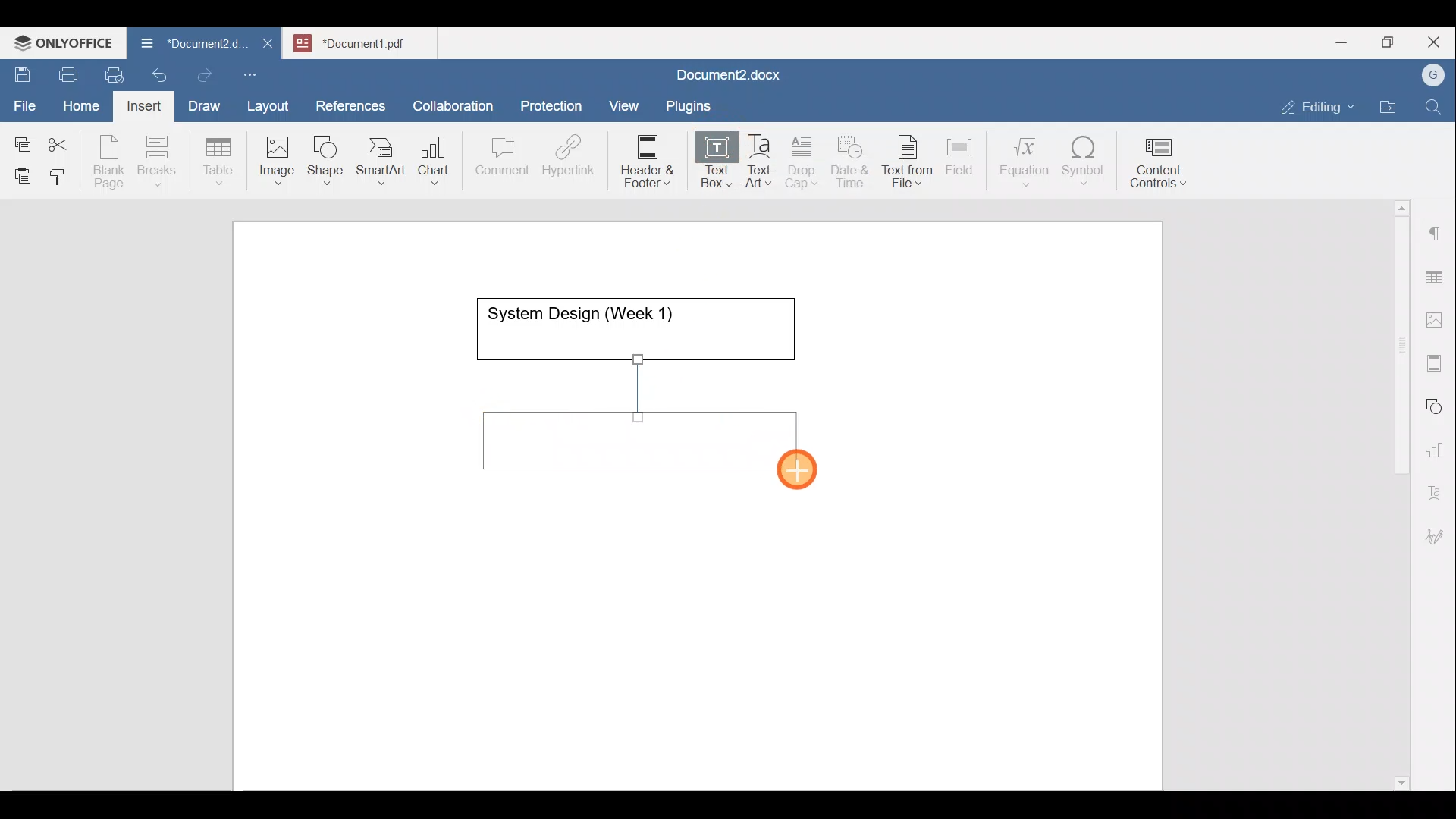  What do you see at coordinates (64, 141) in the screenshot?
I see `Cut` at bounding box center [64, 141].